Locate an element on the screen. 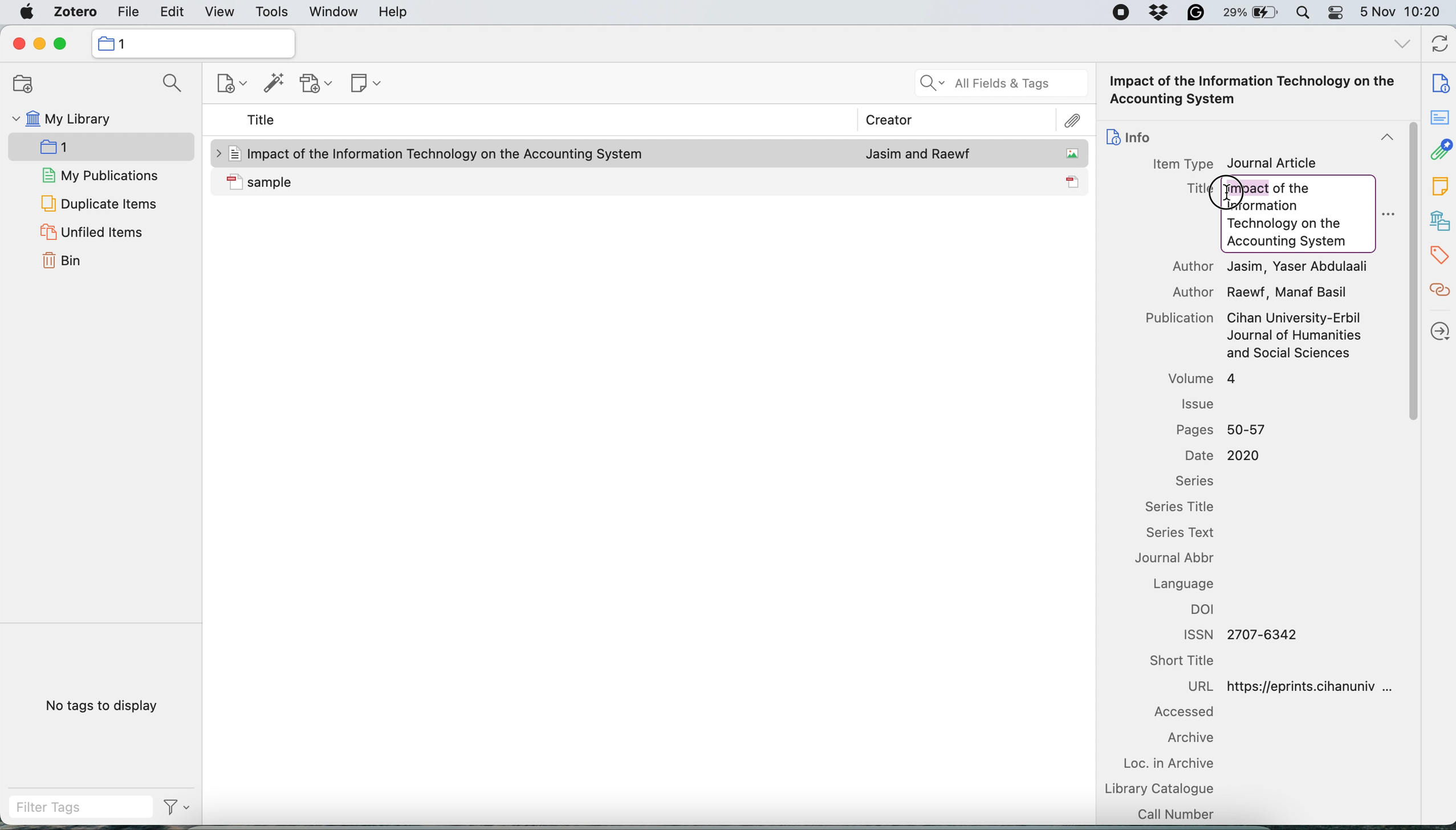  close is located at coordinates (19, 44).